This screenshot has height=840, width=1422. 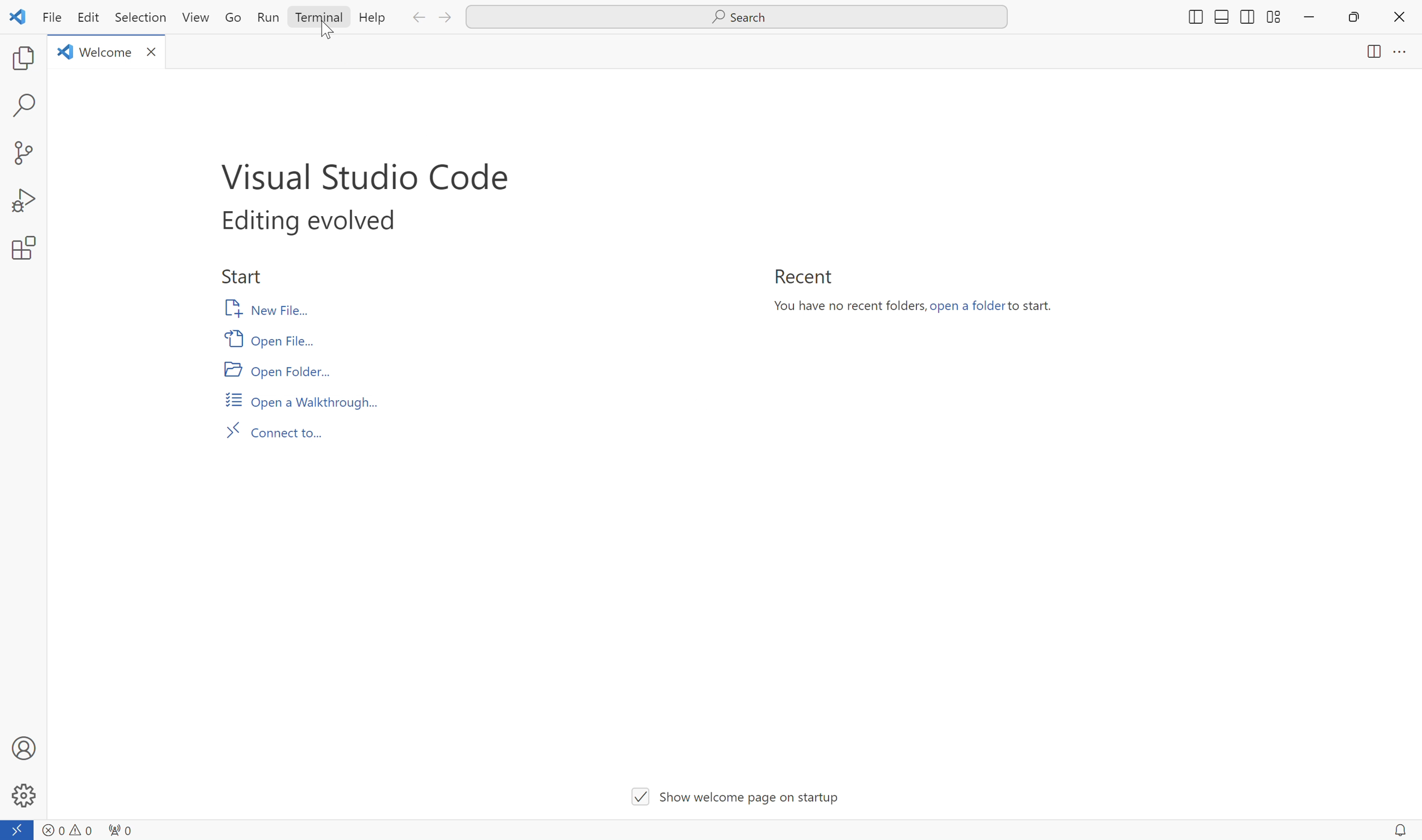 What do you see at coordinates (371, 18) in the screenshot?
I see `Help` at bounding box center [371, 18].